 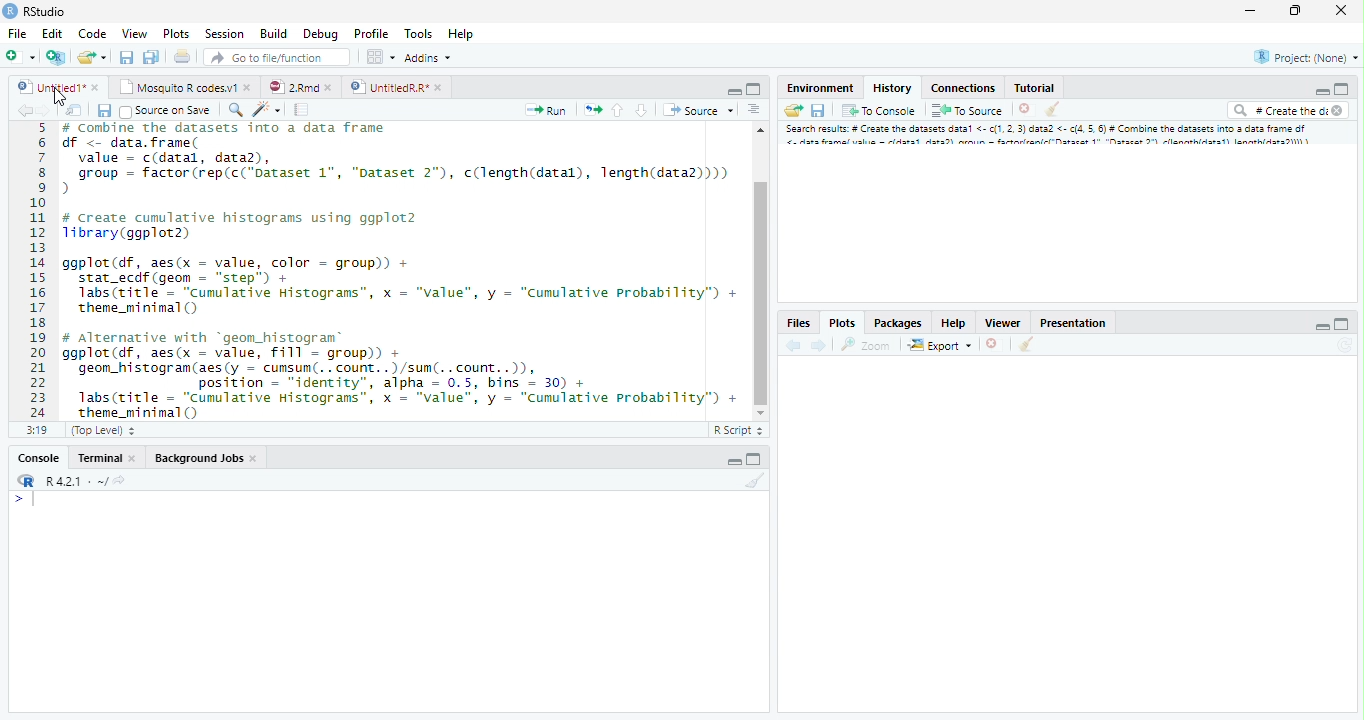 What do you see at coordinates (401, 271) in the screenshot?
I see `# Combine the dataset into a data frame f <- data.frame(value = c(datal, data),group = factor (rep(c("Dataset 1", "Dataset 2"), c(length(datal), length(data2))))create cumulative histograms using ggplot2brary (ggplot2)gplot(df, aes(x = value, color = group)) +stat_ecdf (geom = “step”) +Tabs(ritle = “cumulative Histograms”, x = "value", y = “Cumulative Probability”) +theme_mininal ()Alternative with “geom_histogram®gplot(df, aes(x = value, Fill = group)) +geon_histogram(aes(y = cumsum(.. count. .)/sun(. .count..)),position = "identity", alpha = 0.5, bins = 30) +1abs(title = “Cumulative Histograms”, x = "value", y = “Cumulative Probability”) +` at bounding box center [401, 271].